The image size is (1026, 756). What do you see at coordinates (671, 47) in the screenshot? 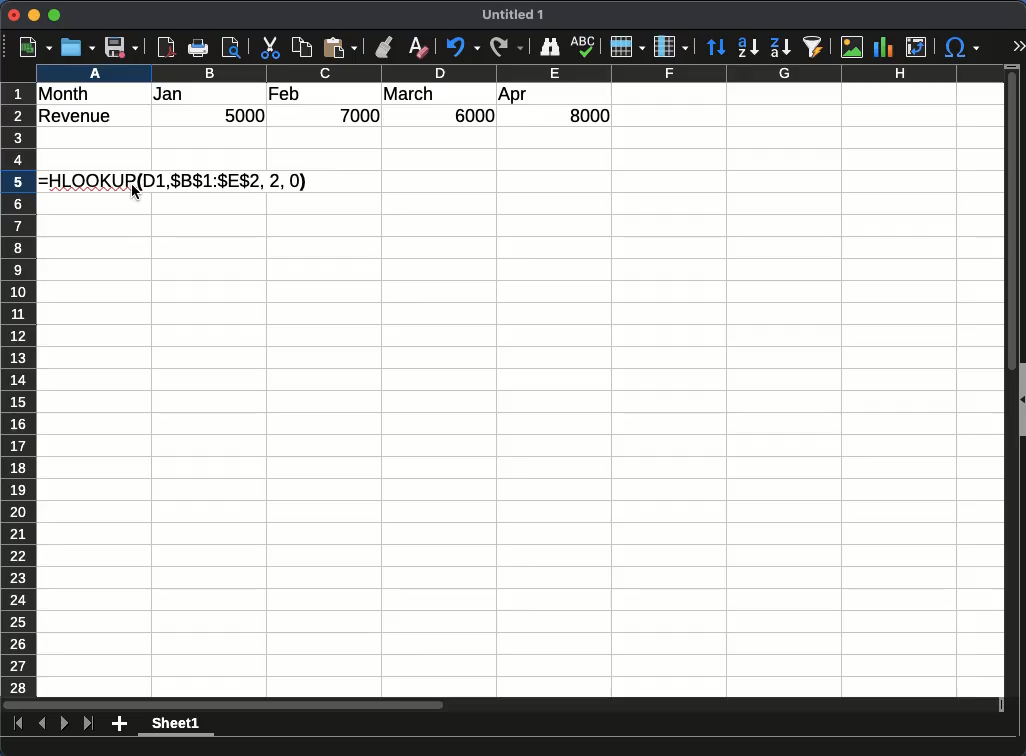
I see `column ` at bounding box center [671, 47].